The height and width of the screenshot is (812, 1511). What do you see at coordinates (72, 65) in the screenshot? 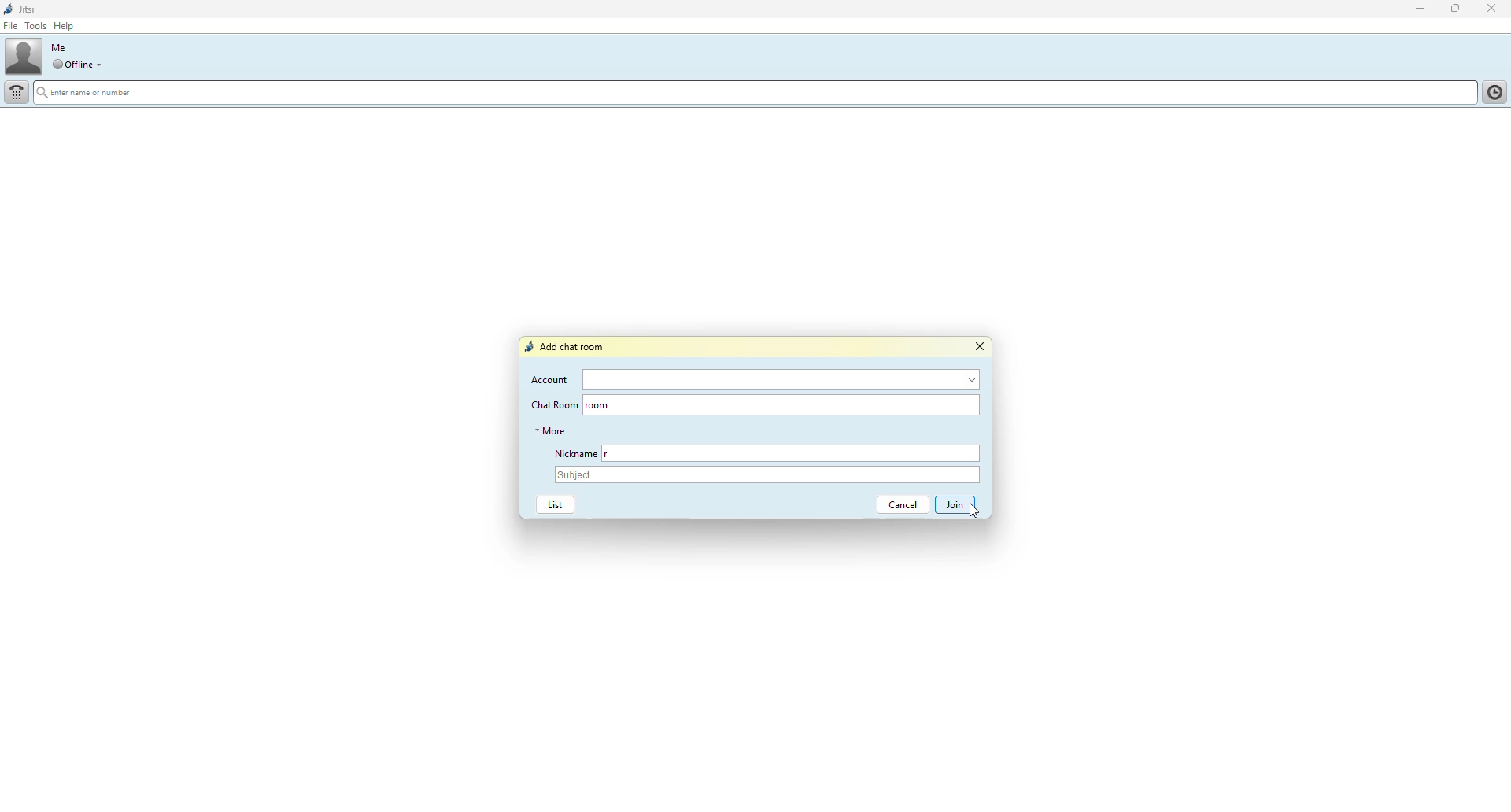
I see `offline` at bounding box center [72, 65].